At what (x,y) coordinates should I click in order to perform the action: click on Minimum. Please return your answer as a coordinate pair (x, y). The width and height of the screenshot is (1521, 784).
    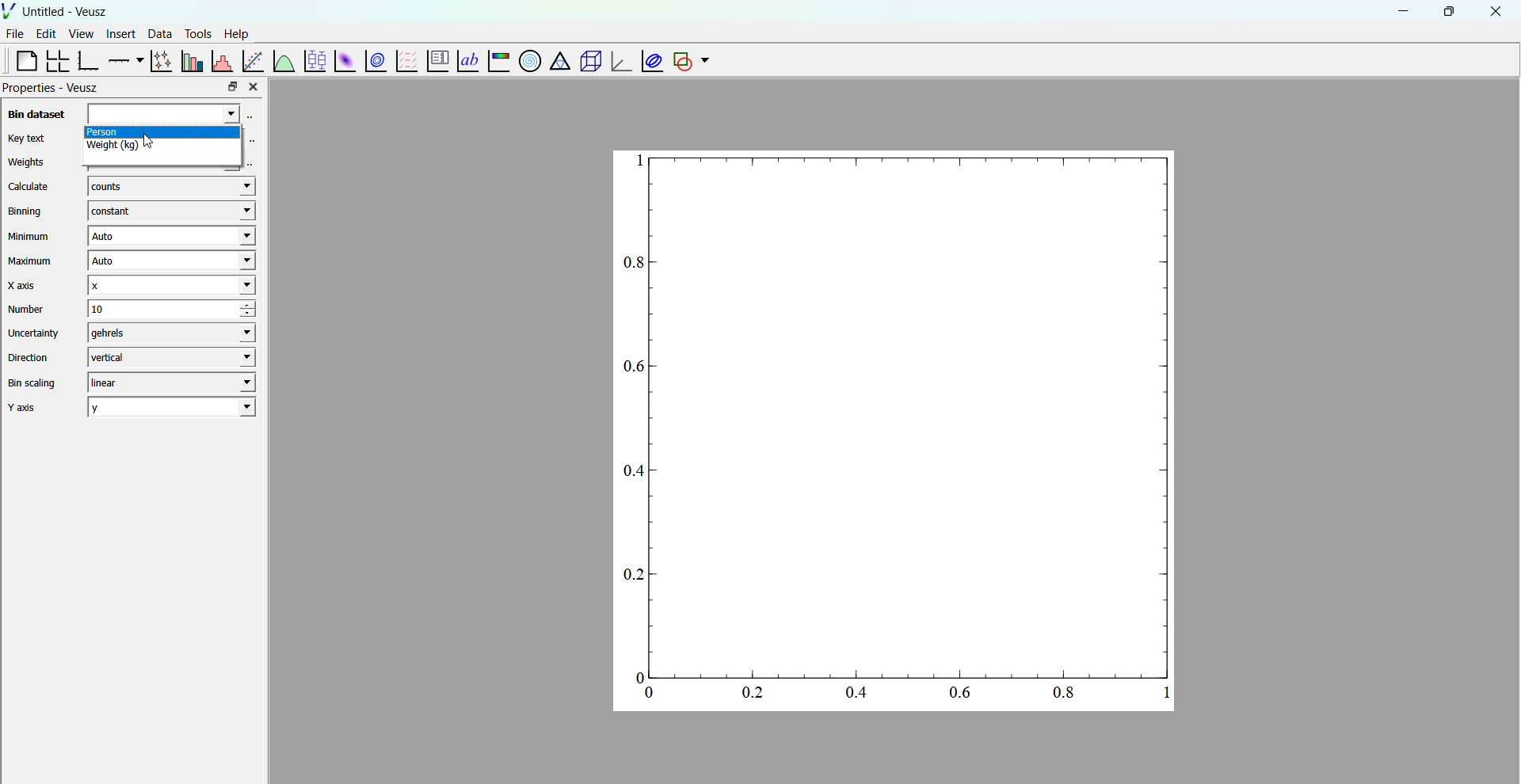
    Looking at the image, I should click on (29, 237).